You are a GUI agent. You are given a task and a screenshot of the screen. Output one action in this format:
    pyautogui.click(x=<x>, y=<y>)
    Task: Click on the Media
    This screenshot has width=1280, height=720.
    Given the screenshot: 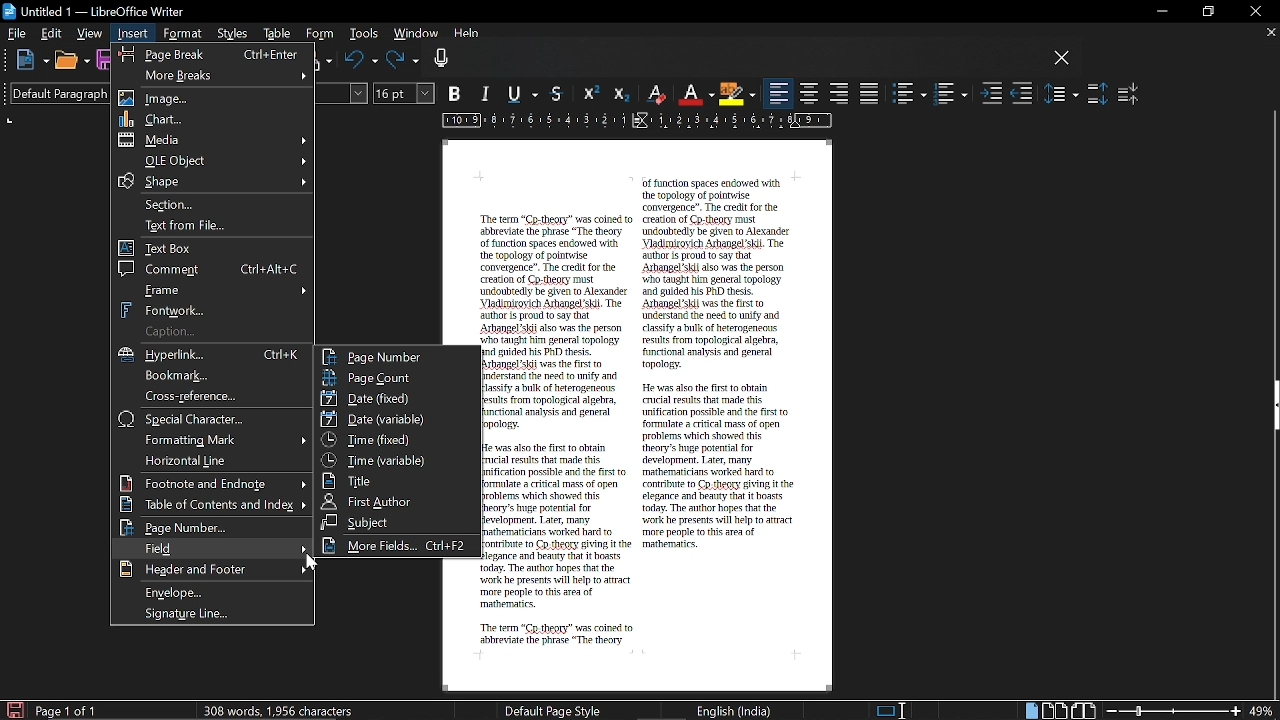 What is the action you would take?
    pyautogui.click(x=215, y=140)
    